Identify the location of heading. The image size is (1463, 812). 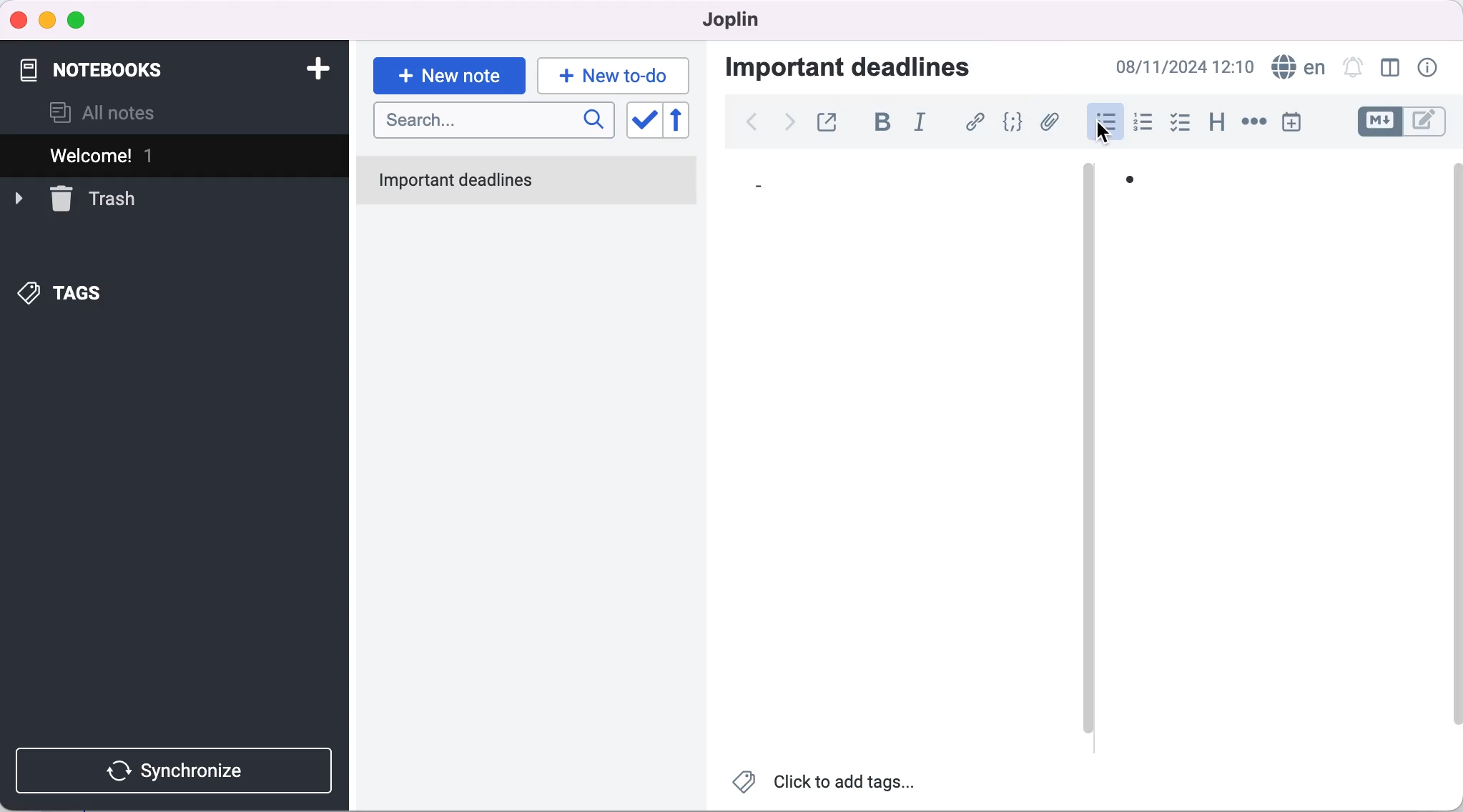
(1216, 124).